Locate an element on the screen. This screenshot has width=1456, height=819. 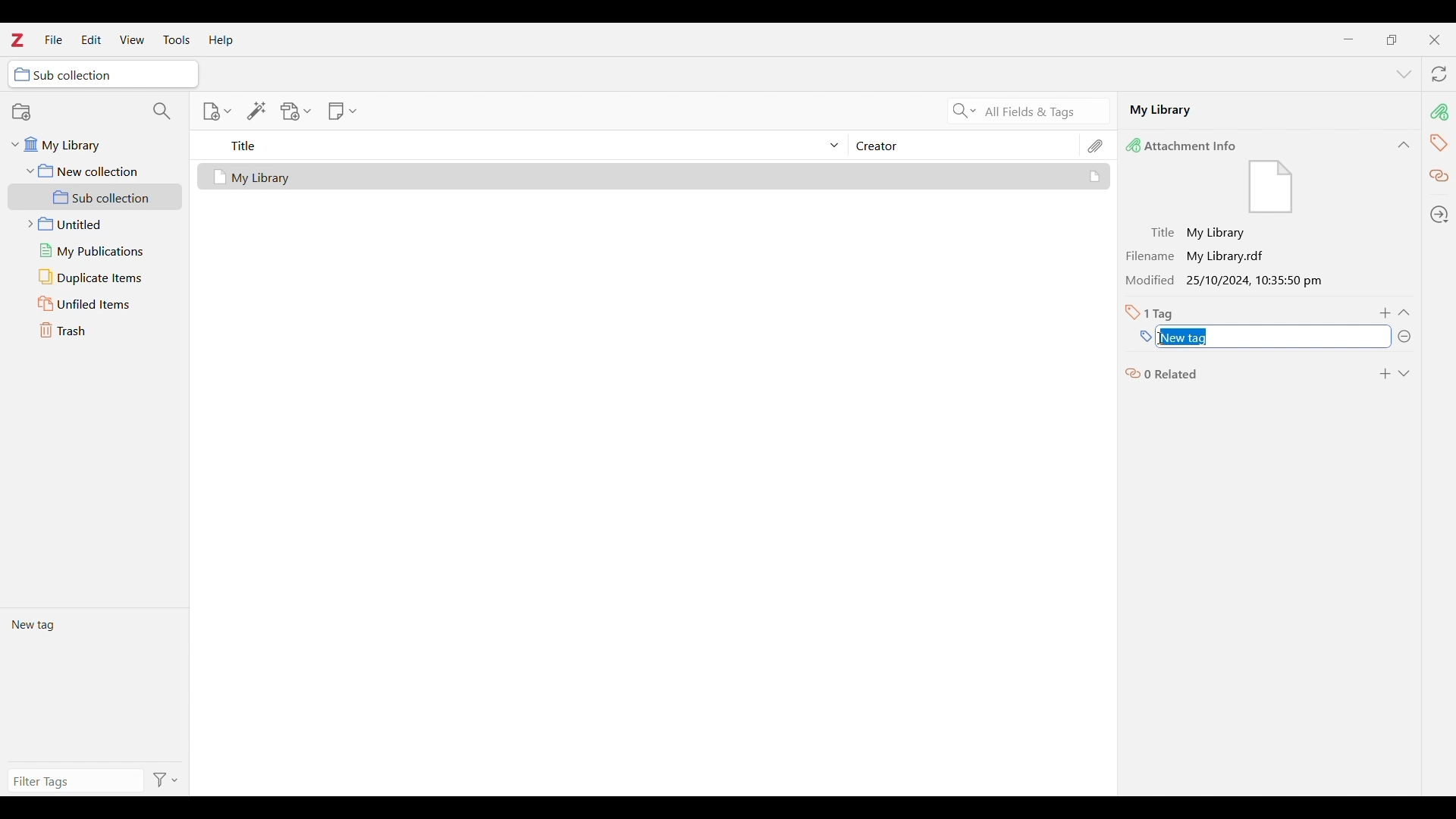
Selected text highlighted is located at coordinates (1186, 337).